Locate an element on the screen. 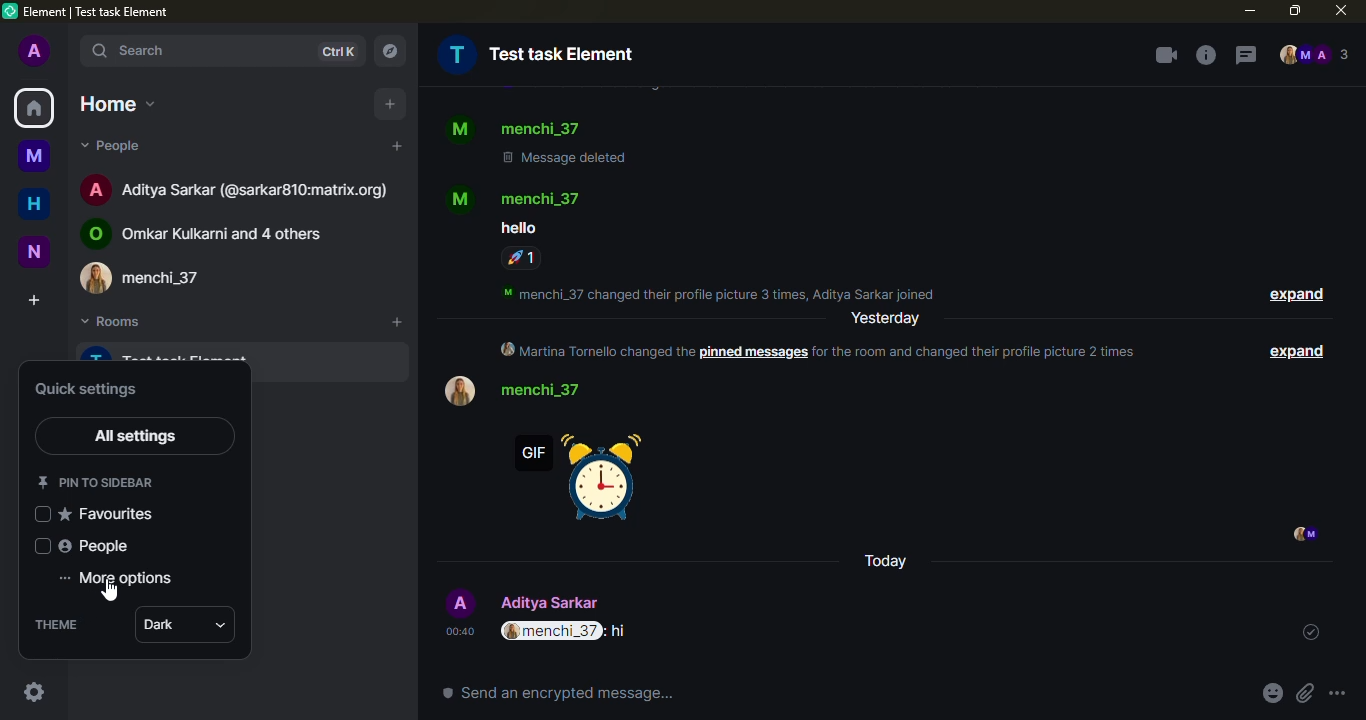  people is located at coordinates (114, 144).